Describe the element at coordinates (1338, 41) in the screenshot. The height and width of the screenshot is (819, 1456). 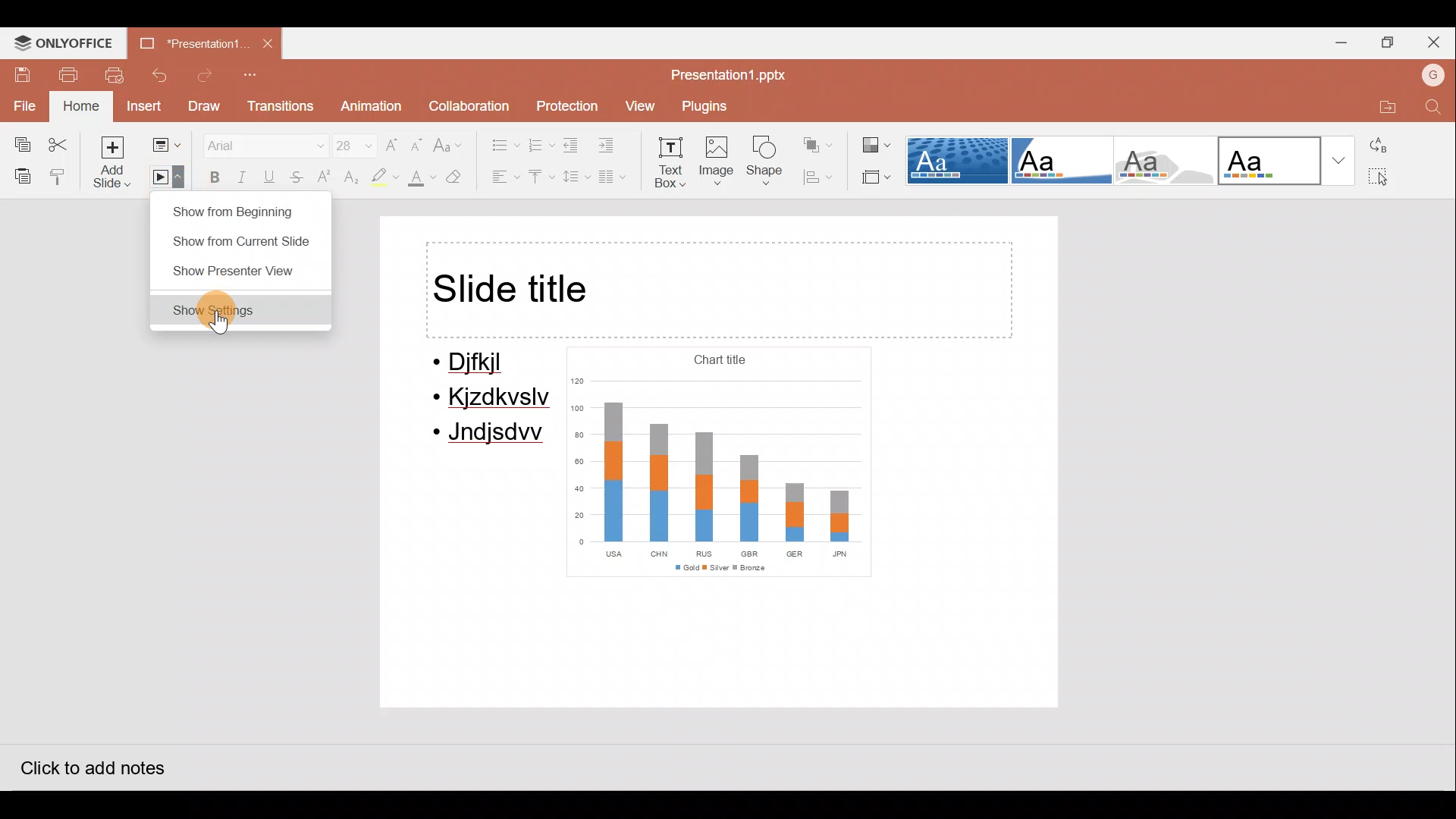
I see `Minimize` at that location.